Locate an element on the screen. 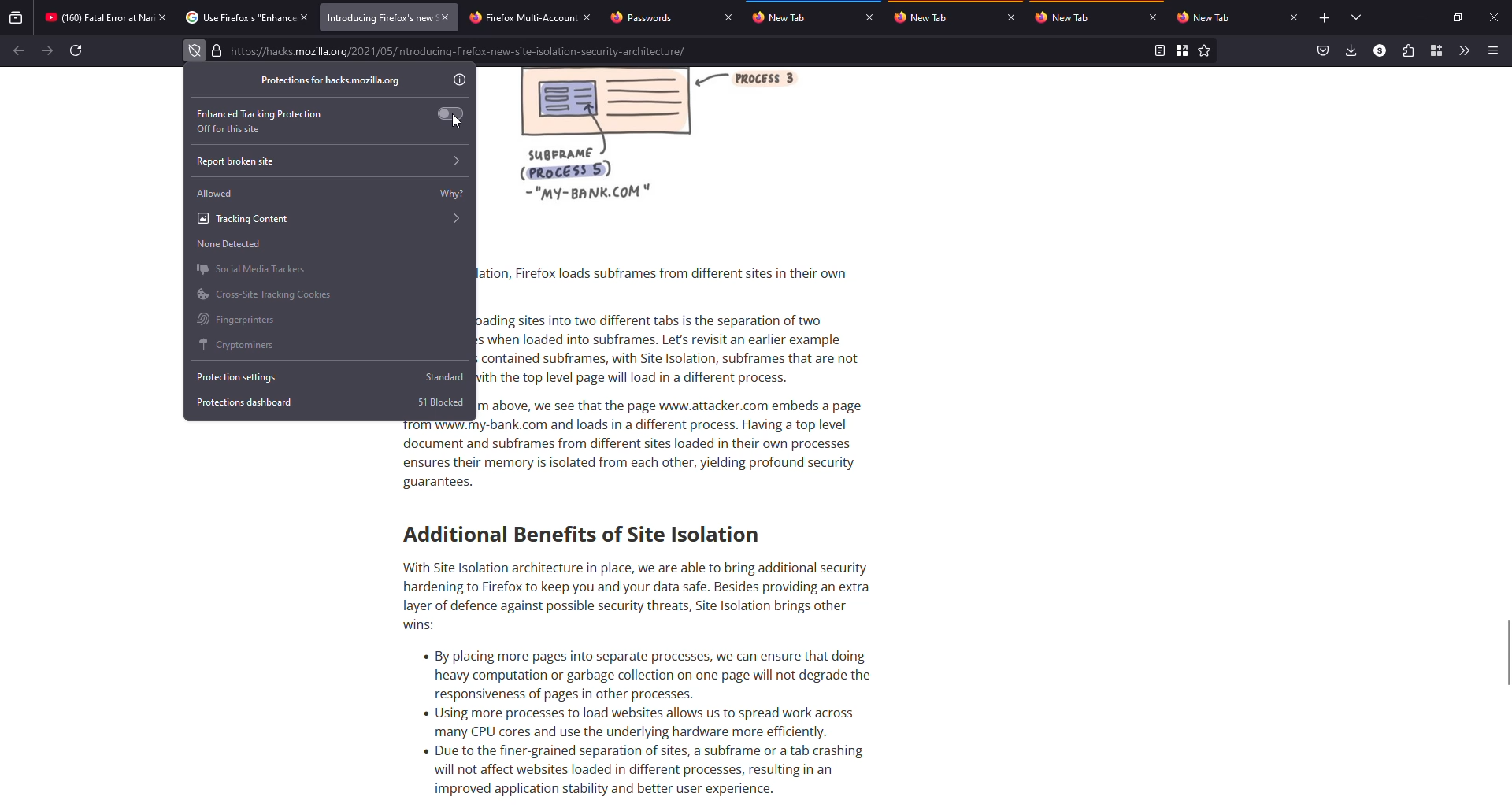 This screenshot has height=811, width=1512. back is located at coordinates (18, 51).